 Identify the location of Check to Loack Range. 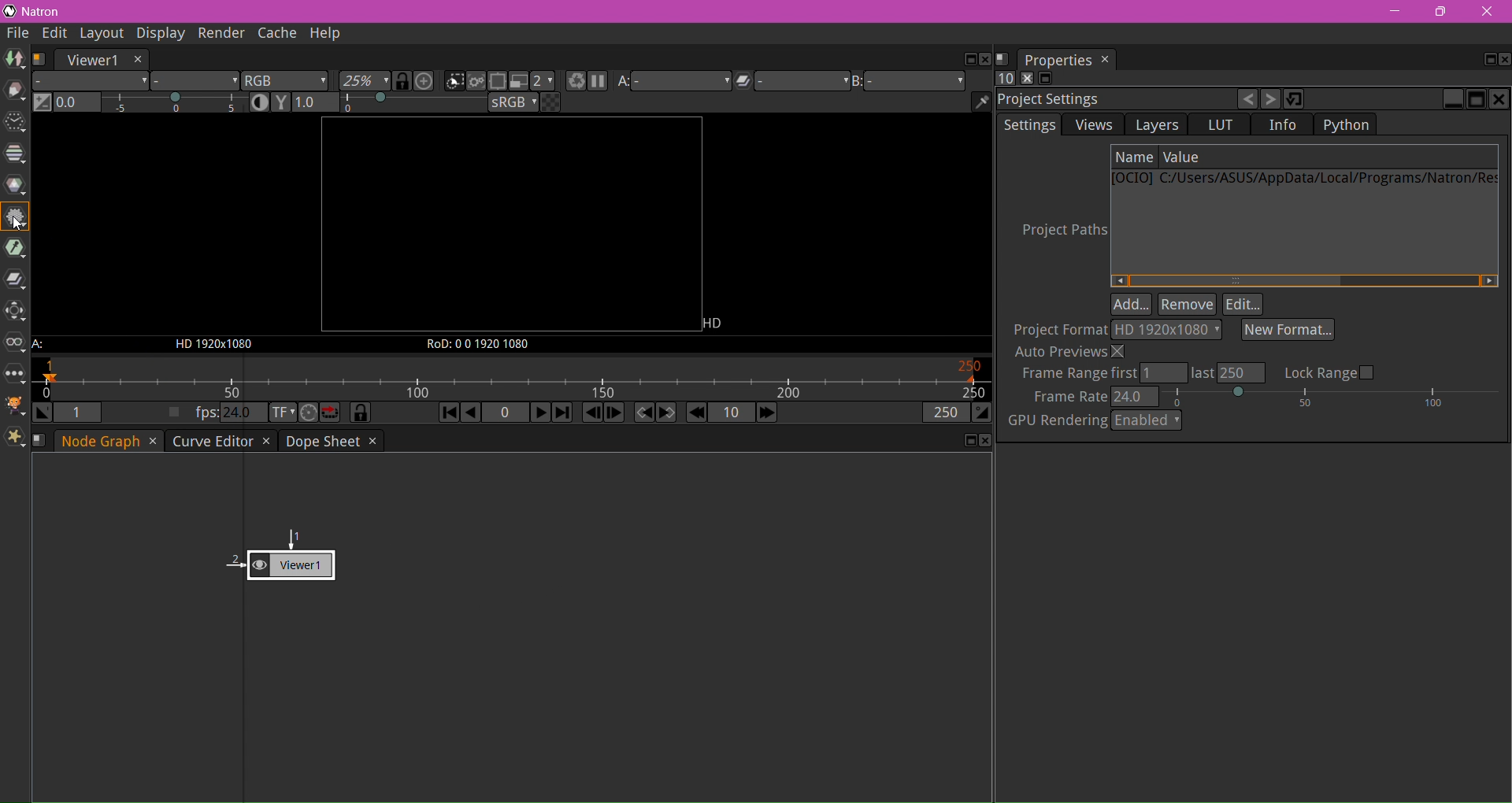
(1329, 372).